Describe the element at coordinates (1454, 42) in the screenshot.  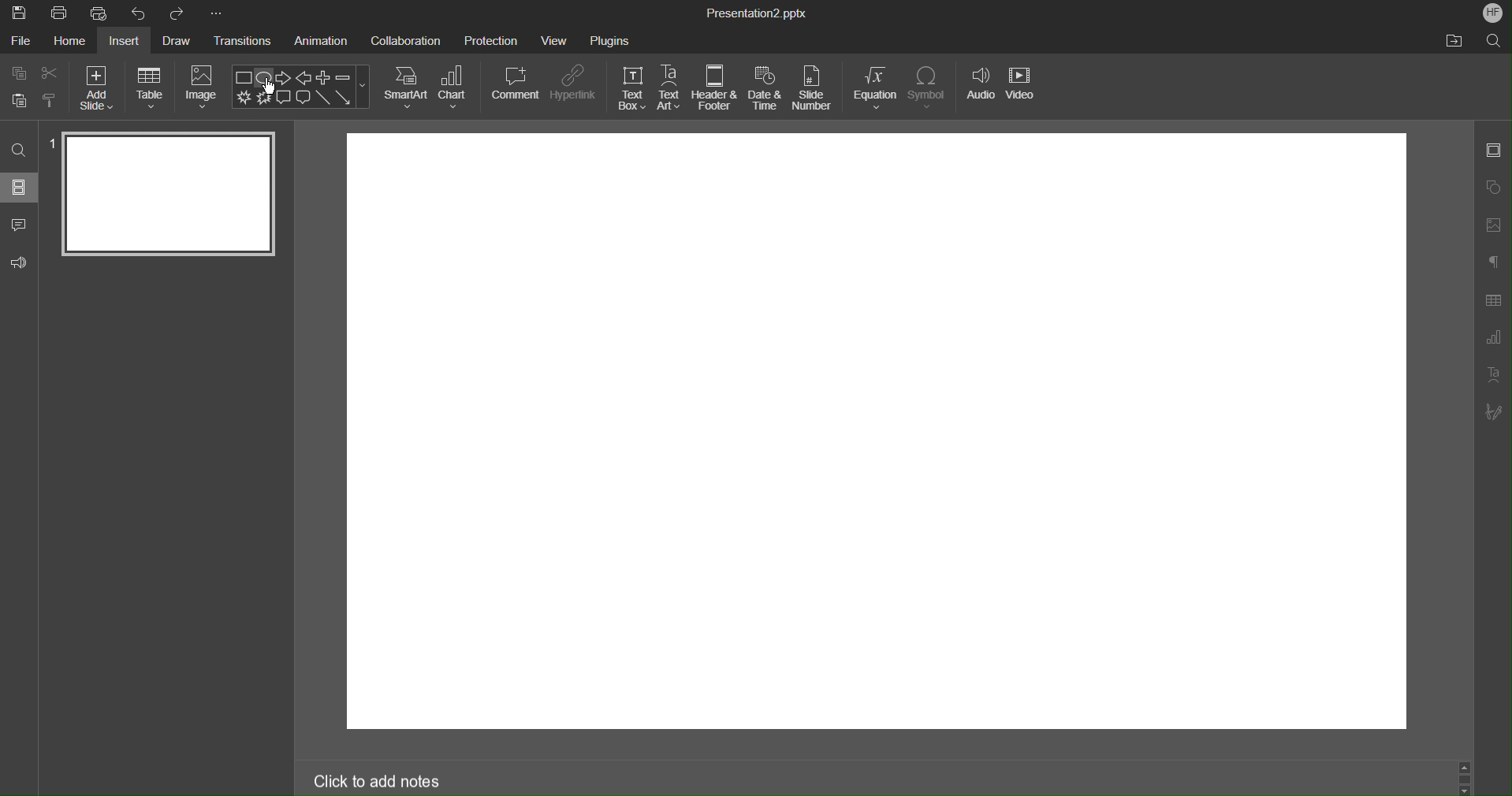
I see `Open File Location` at that location.